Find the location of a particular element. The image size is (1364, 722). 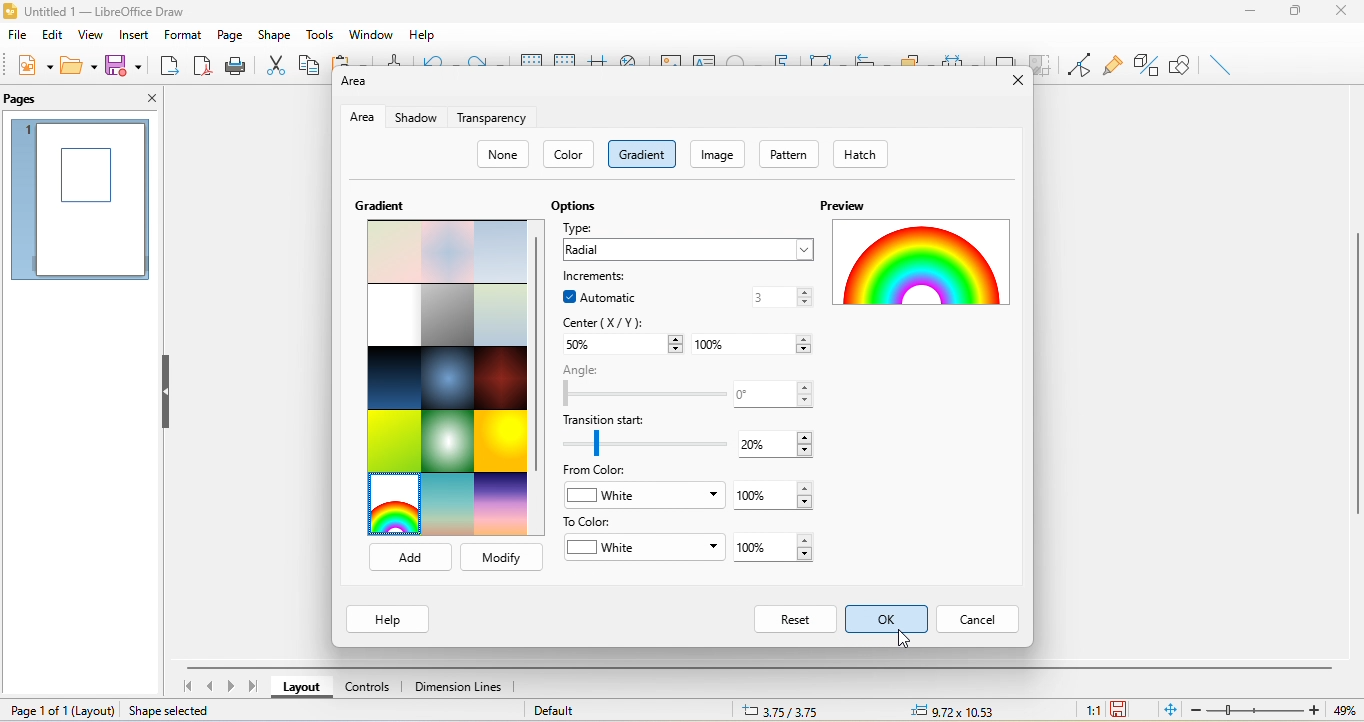

increments is located at coordinates (606, 272).